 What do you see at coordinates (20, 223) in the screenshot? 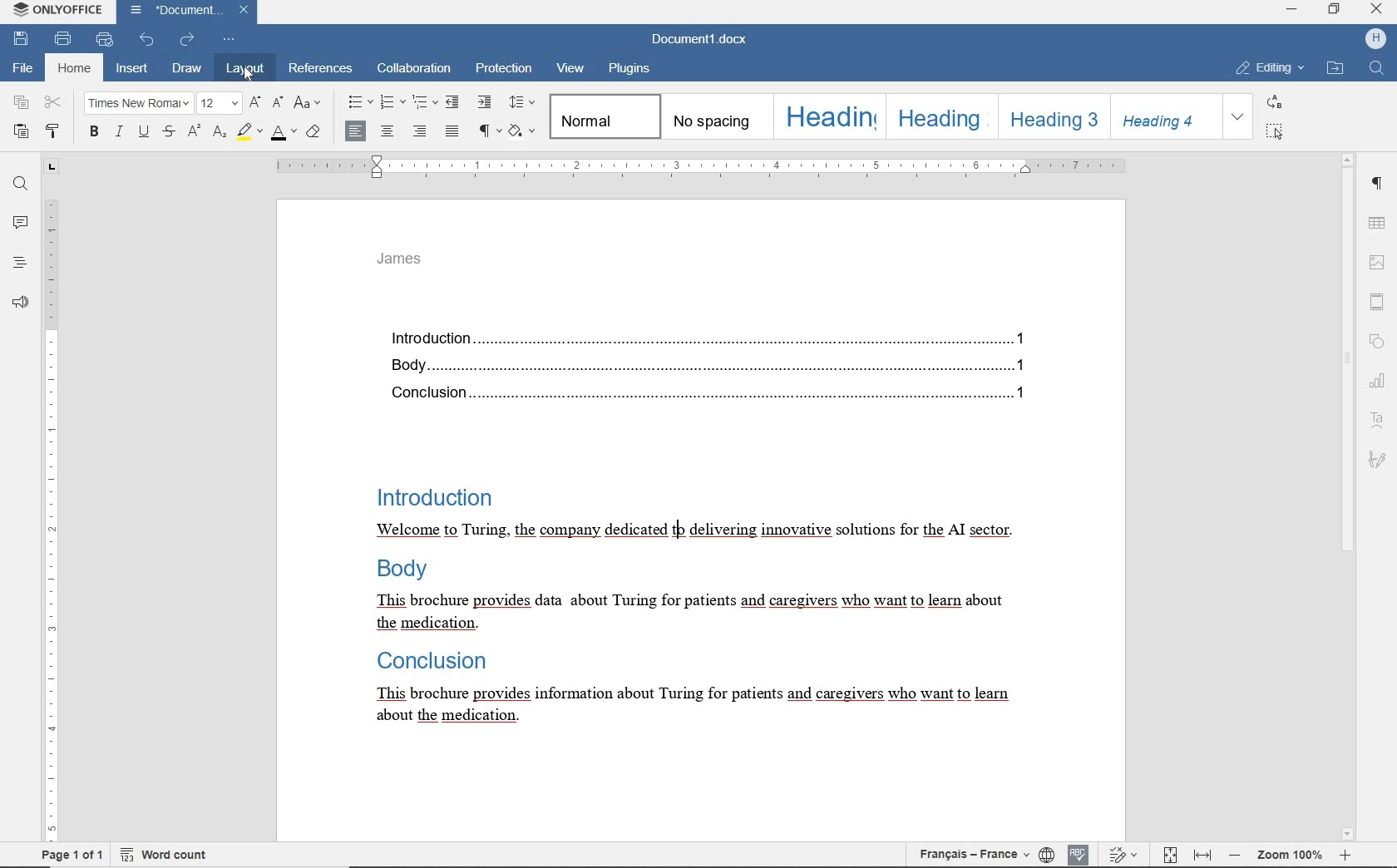
I see `comments` at bounding box center [20, 223].